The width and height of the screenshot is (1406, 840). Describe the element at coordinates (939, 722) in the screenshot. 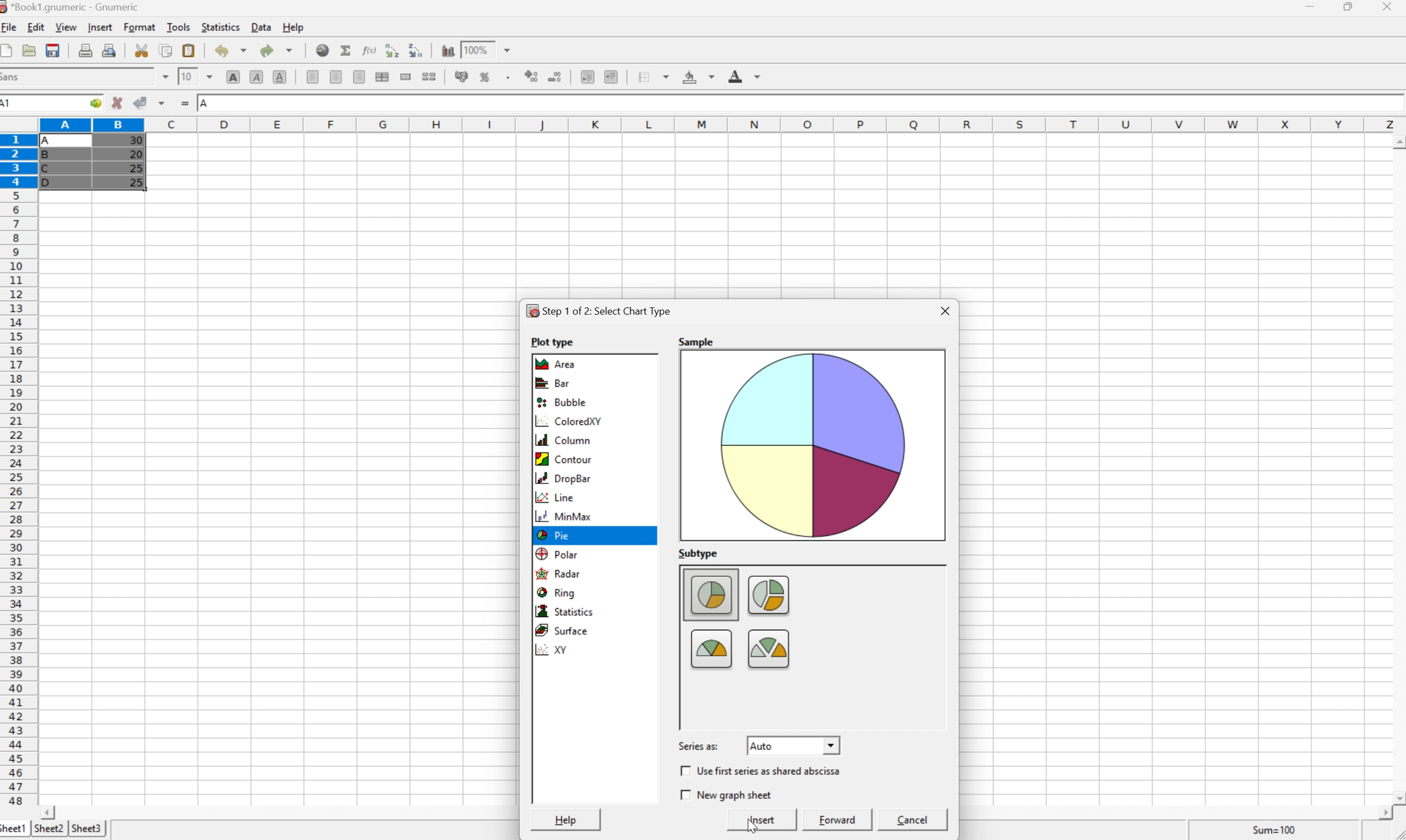

I see `Drop Down` at that location.